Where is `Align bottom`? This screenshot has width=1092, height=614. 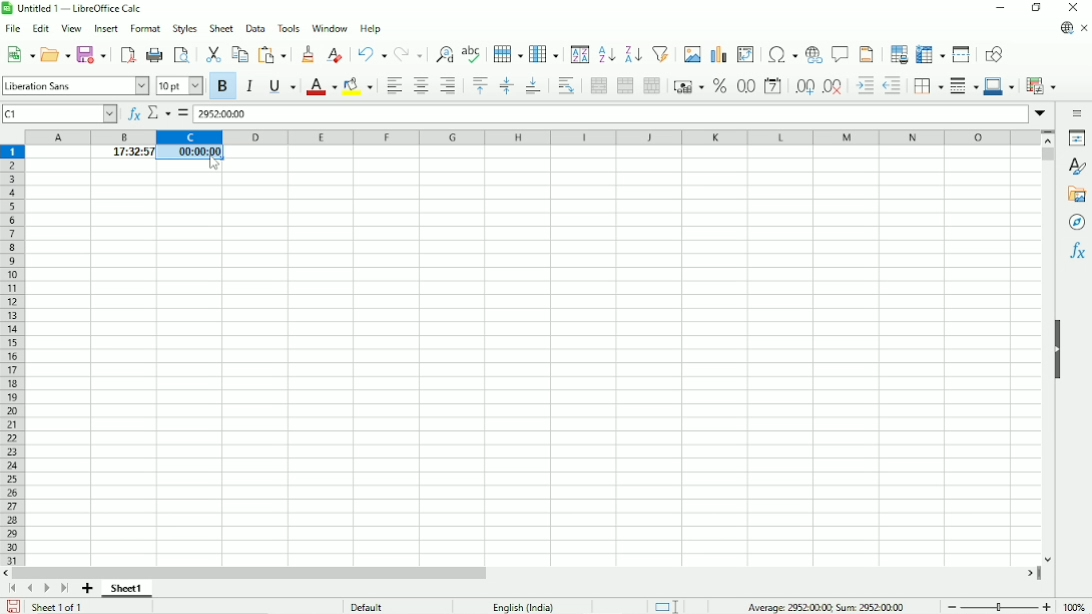
Align bottom is located at coordinates (531, 87).